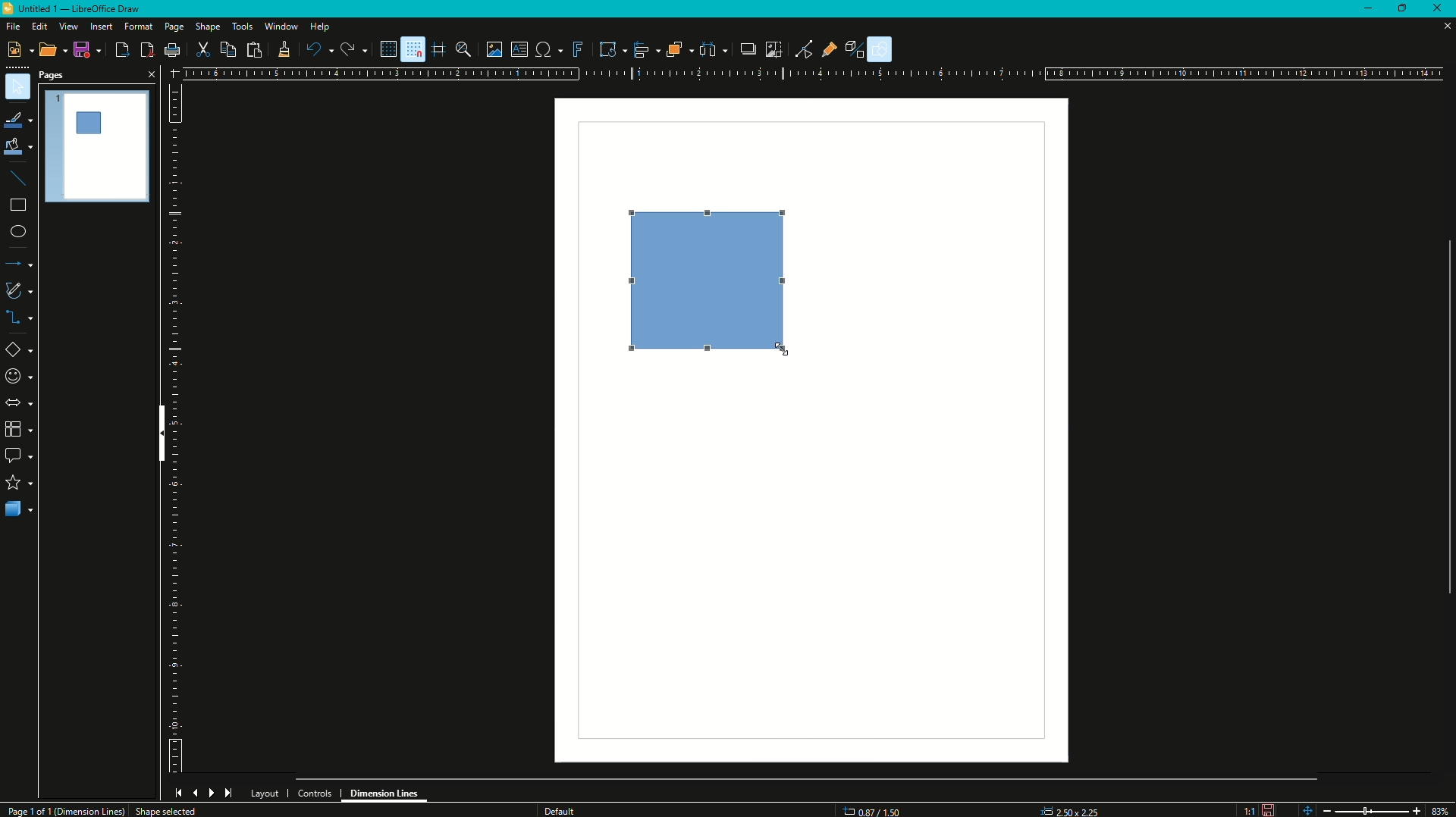  I want to click on Rectangle, so click(17, 208).